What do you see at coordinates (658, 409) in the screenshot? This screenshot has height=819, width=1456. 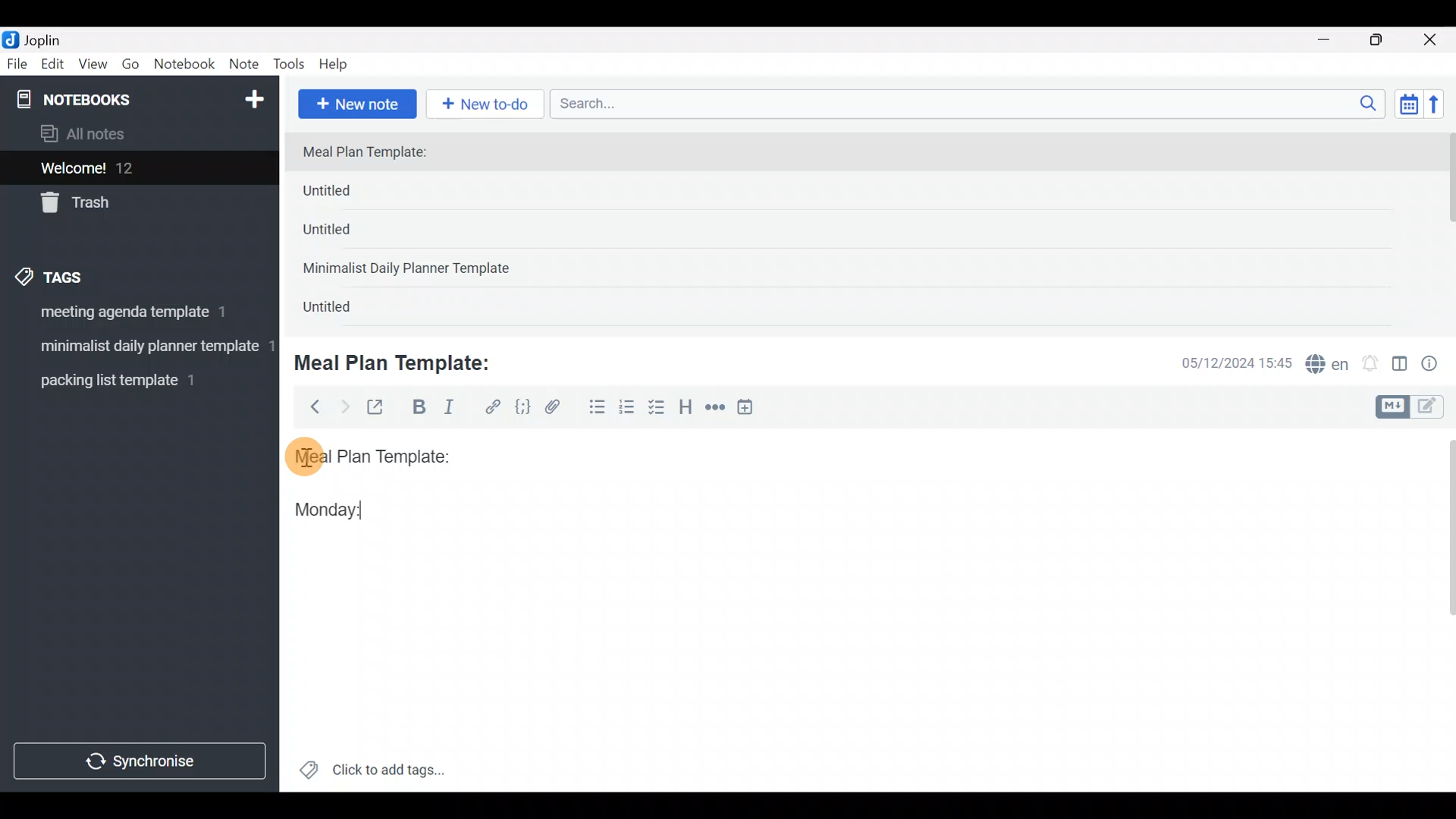 I see `Checkbox` at bounding box center [658, 409].